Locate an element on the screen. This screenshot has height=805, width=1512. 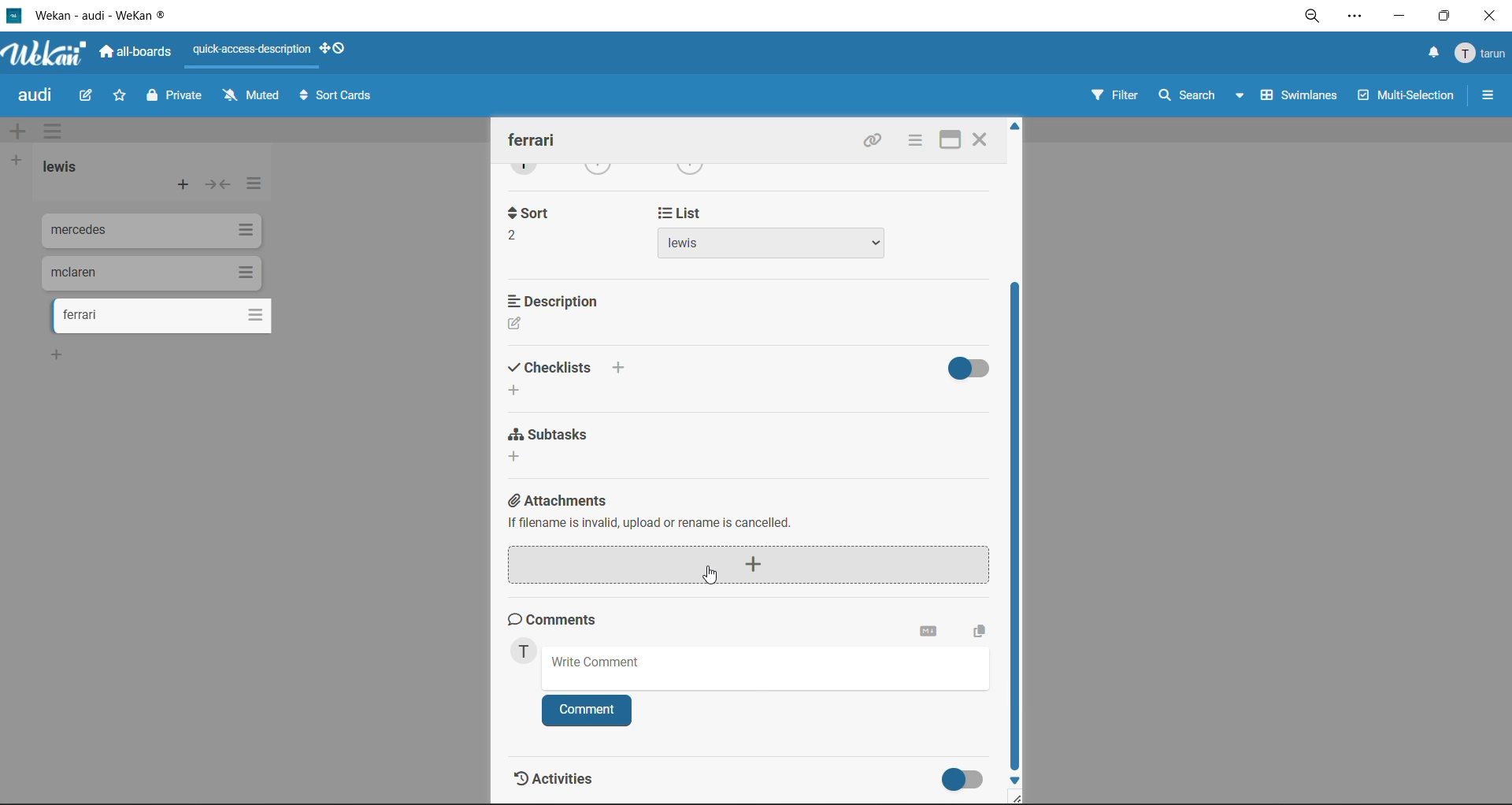
cursor is located at coordinates (710, 573).